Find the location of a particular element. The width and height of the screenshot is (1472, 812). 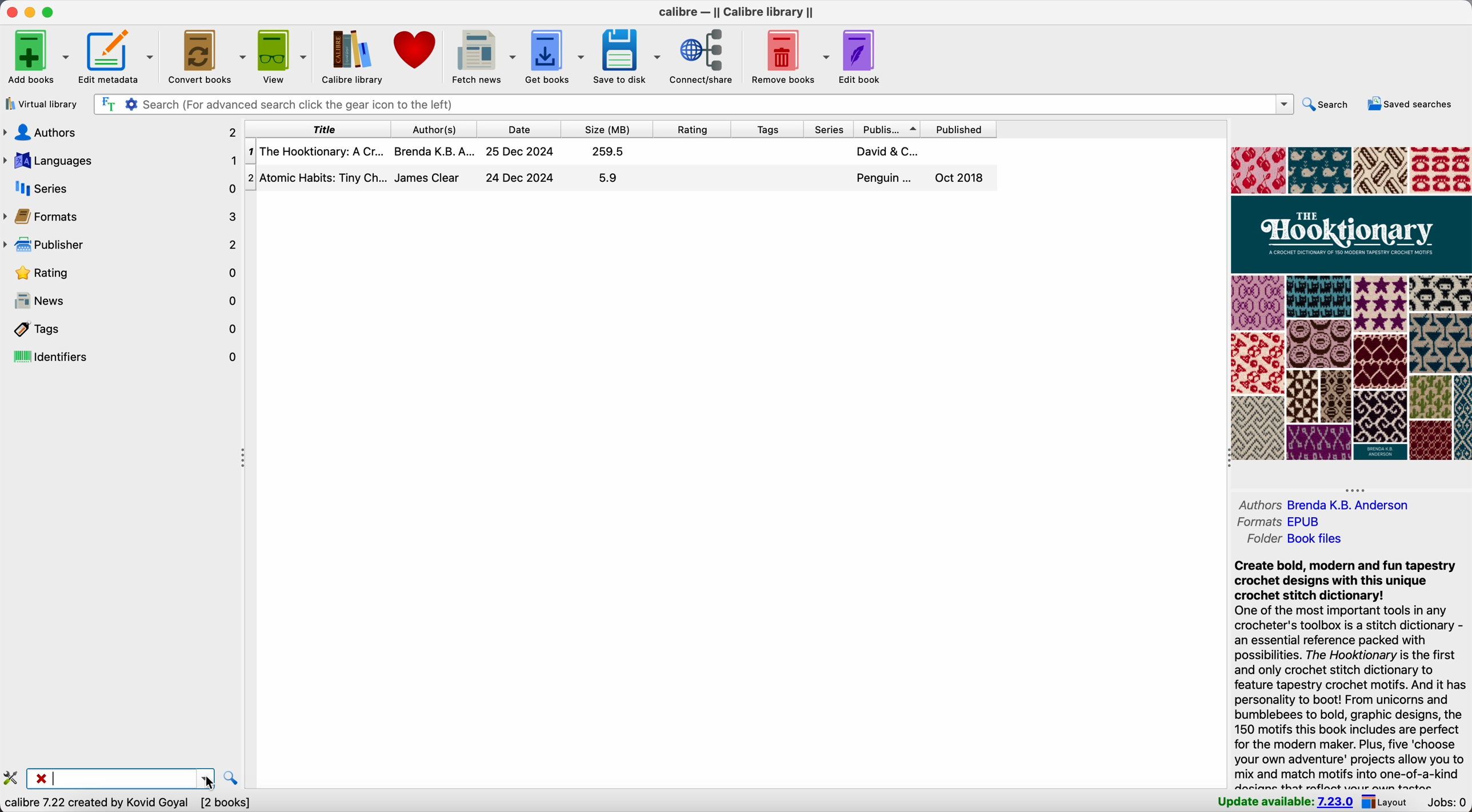

connect/share is located at coordinates (704, 58).